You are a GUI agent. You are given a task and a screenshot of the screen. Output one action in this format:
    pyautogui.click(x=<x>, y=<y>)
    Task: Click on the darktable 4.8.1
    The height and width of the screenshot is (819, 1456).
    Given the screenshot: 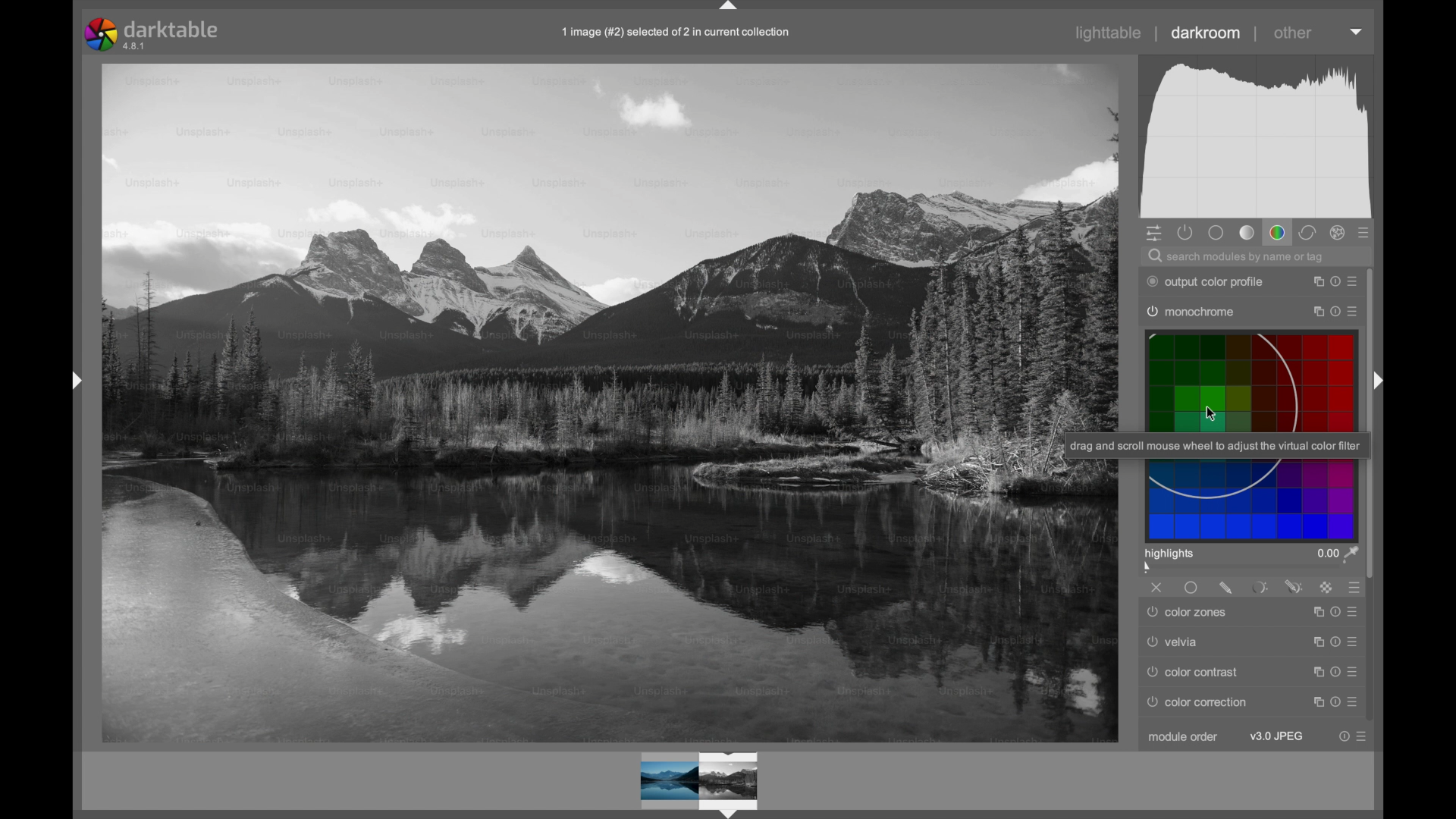 What is the action you would take?
    pyautogui.click(x=155, y=35)
    